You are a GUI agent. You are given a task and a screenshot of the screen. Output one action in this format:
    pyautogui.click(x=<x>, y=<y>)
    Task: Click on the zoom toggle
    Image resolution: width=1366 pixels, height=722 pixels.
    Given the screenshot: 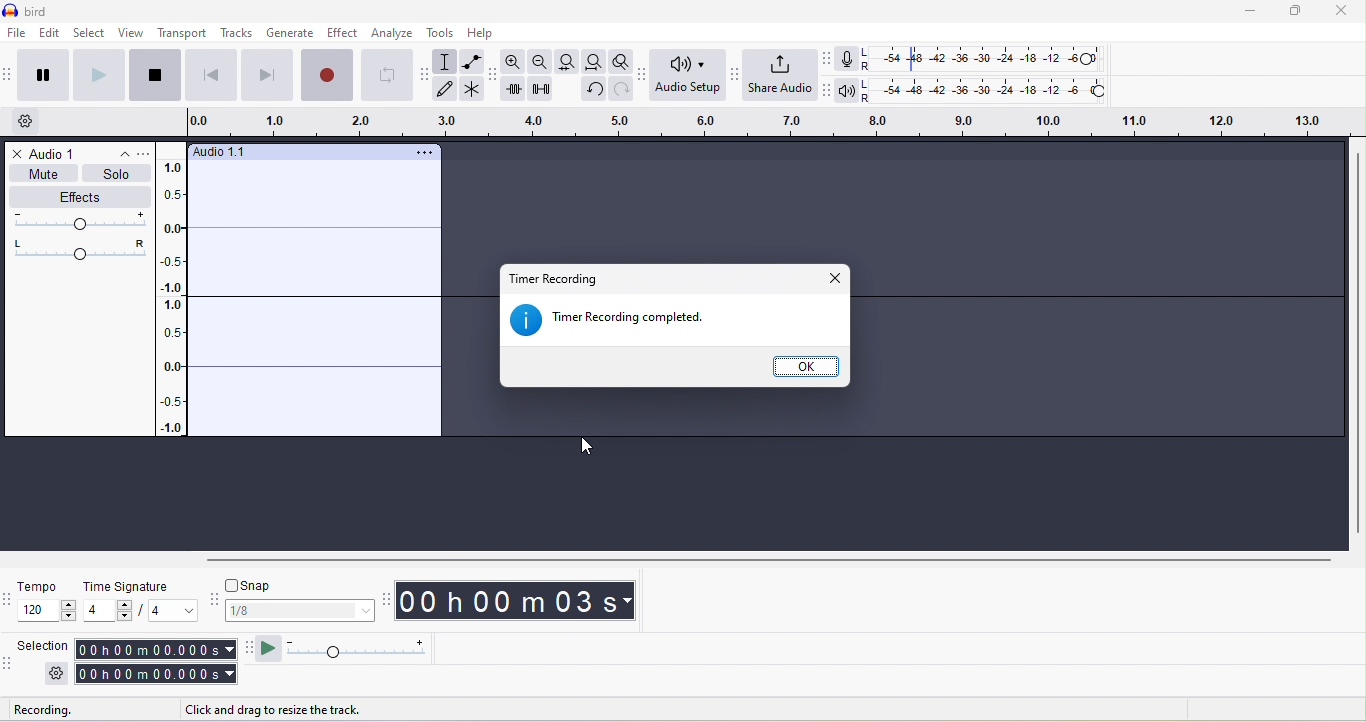 What is the action you would take?
    pyautogui.click(x=621, y=59)
    